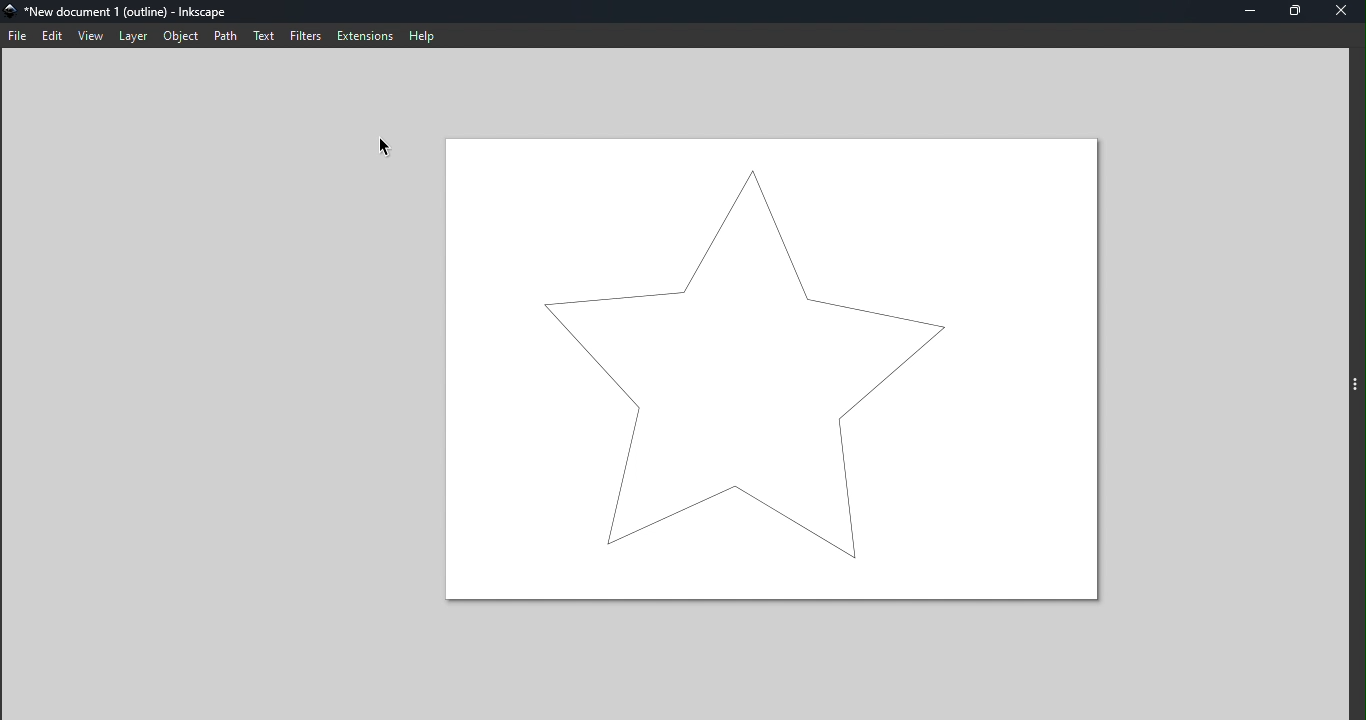  What do you see at coordinates (1303, 12) in the screenshot?
I see `Maximize` at bounding box center [1303, 12].